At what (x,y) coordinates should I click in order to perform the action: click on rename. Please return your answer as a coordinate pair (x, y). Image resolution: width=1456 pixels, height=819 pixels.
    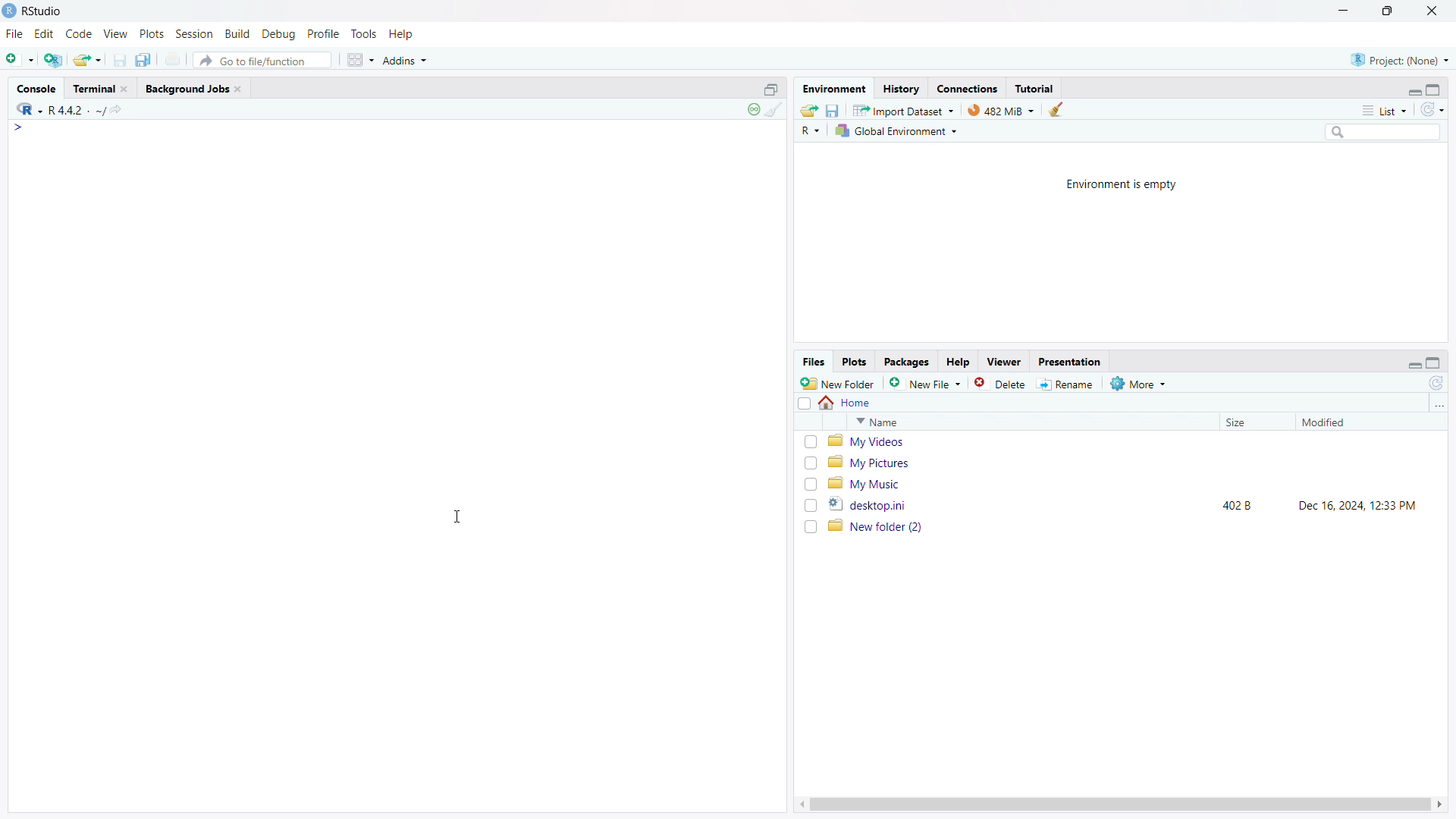
    Looking at the image, I should click on (1068, 384).